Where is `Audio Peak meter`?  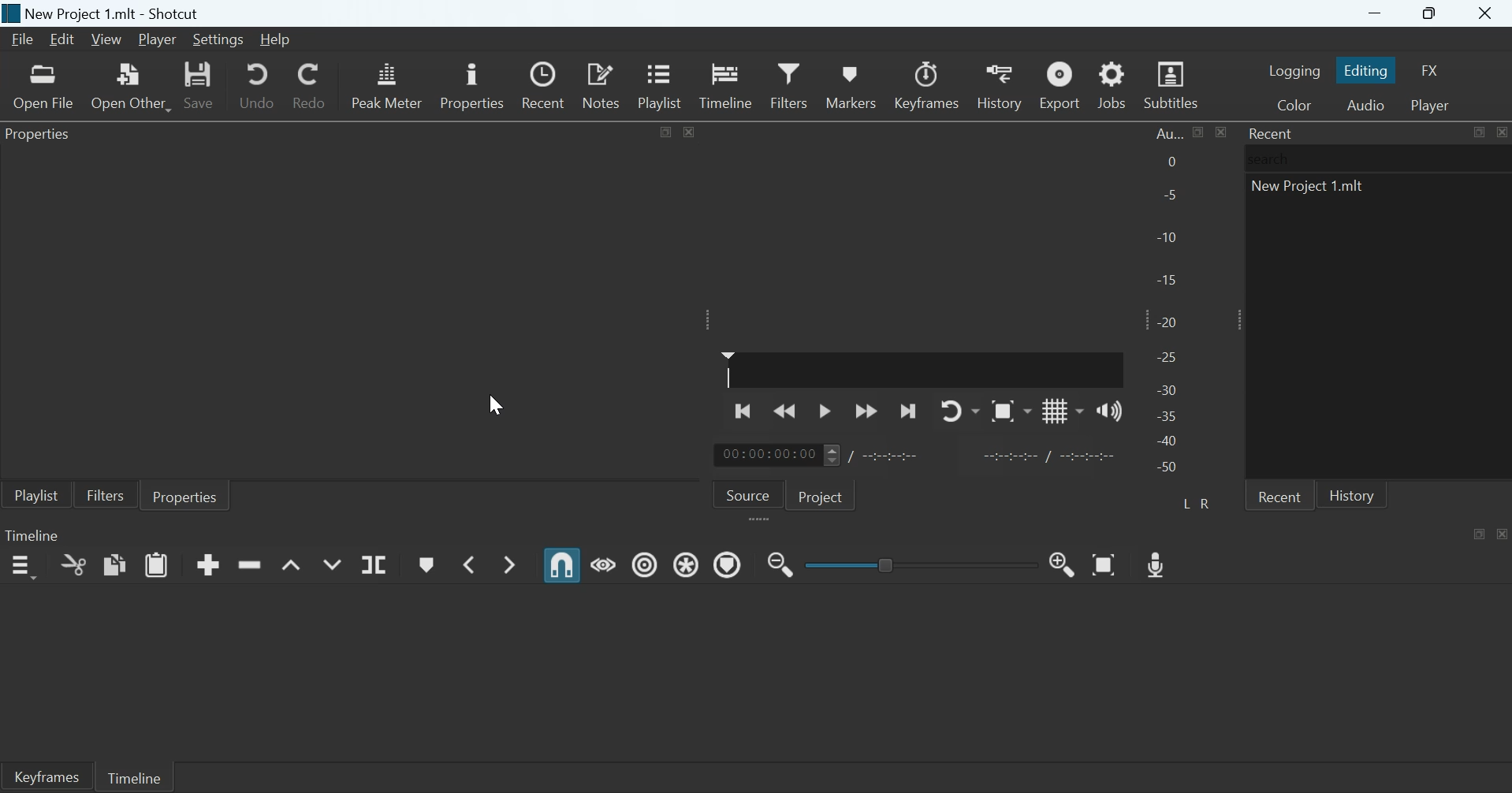
Audio Peak meter is located at coordinates (1169, 303).